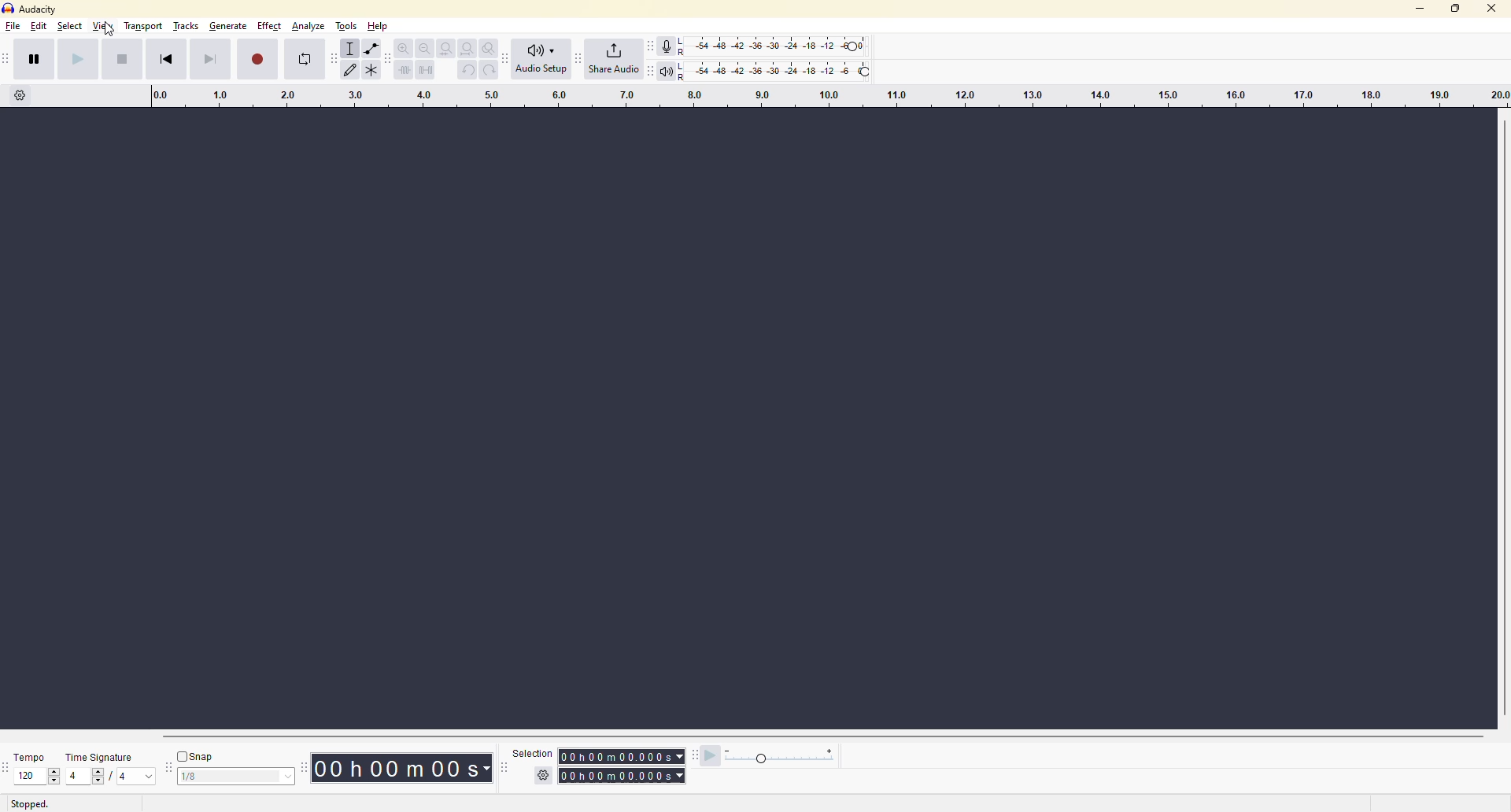 The width and height of the screenshot is (1511, 812). Describe the element at coordinates (20, 101) in the screenshot. I see `timeline options` at that location.